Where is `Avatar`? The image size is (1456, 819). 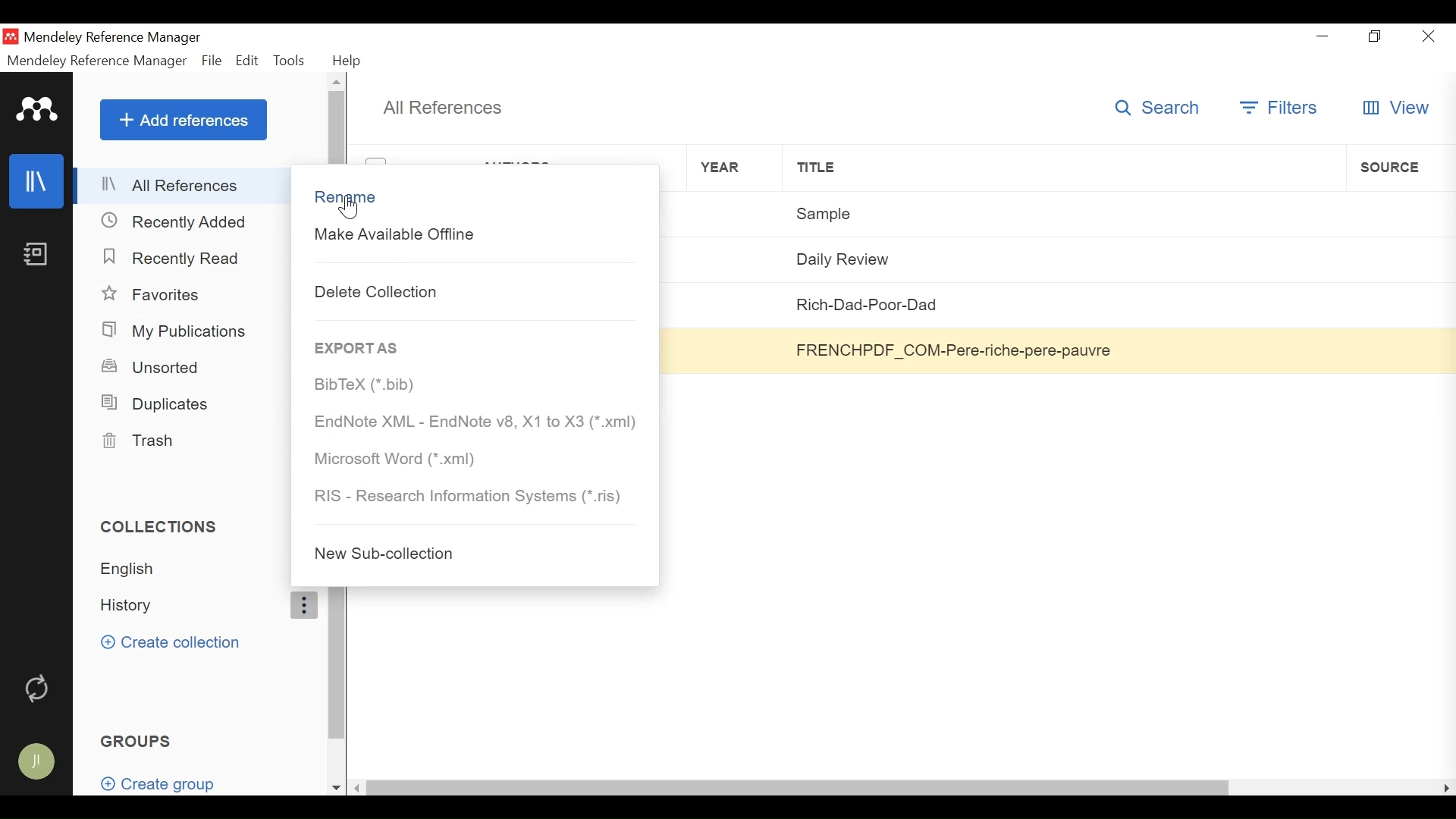
Avatar is located at coordinates (35, 764).